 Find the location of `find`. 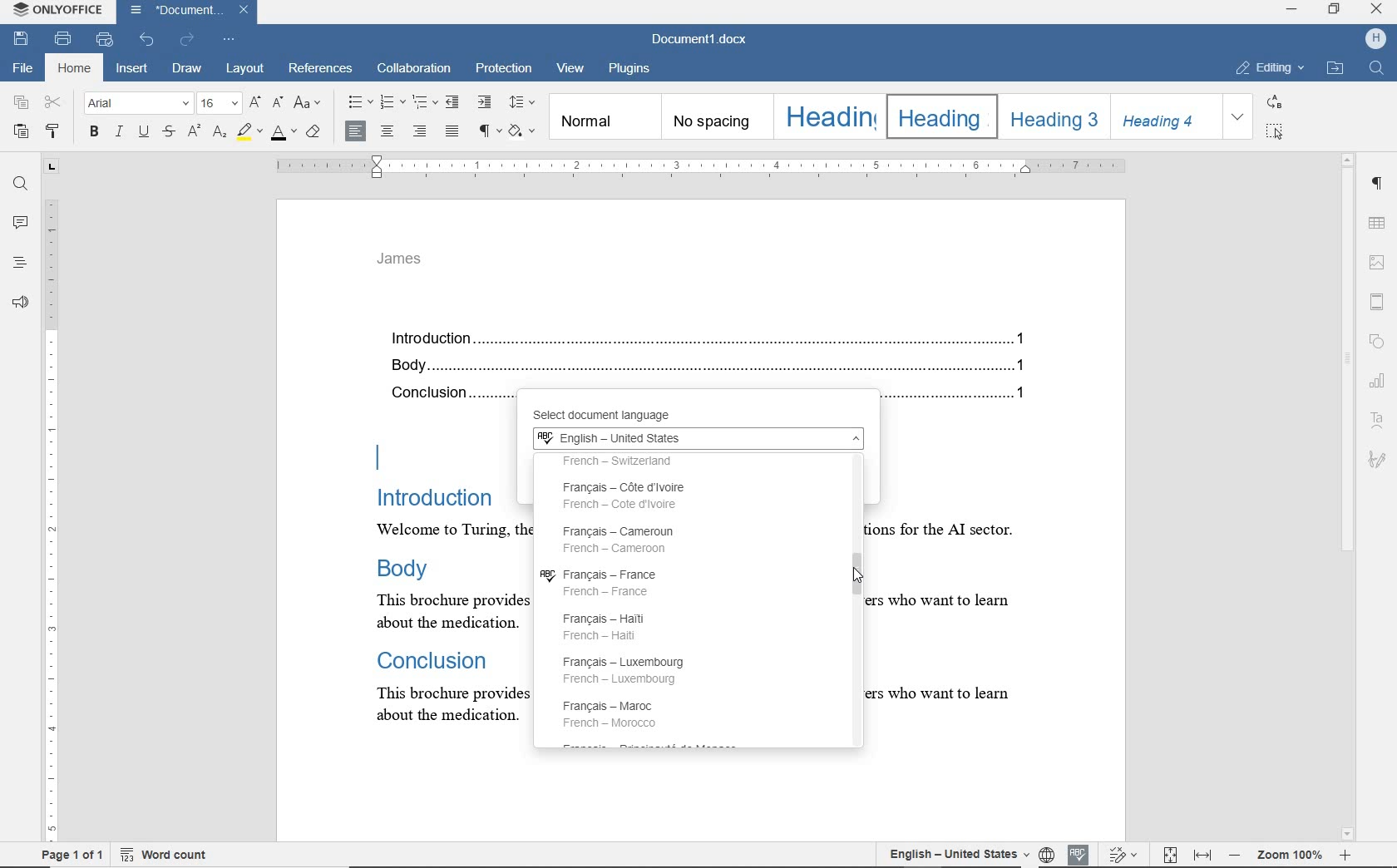

find is located at coordinates (20, 185).